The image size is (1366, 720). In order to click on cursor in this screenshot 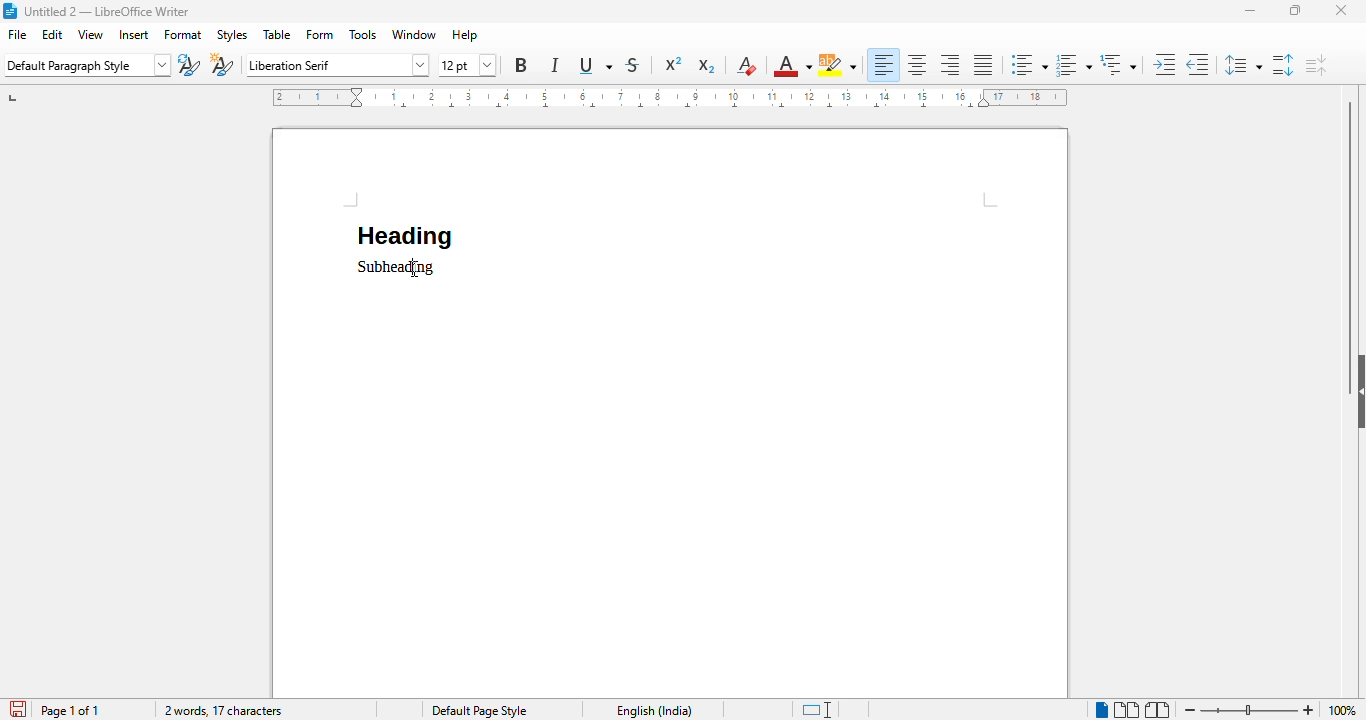, I will do `click(413, 268)`.